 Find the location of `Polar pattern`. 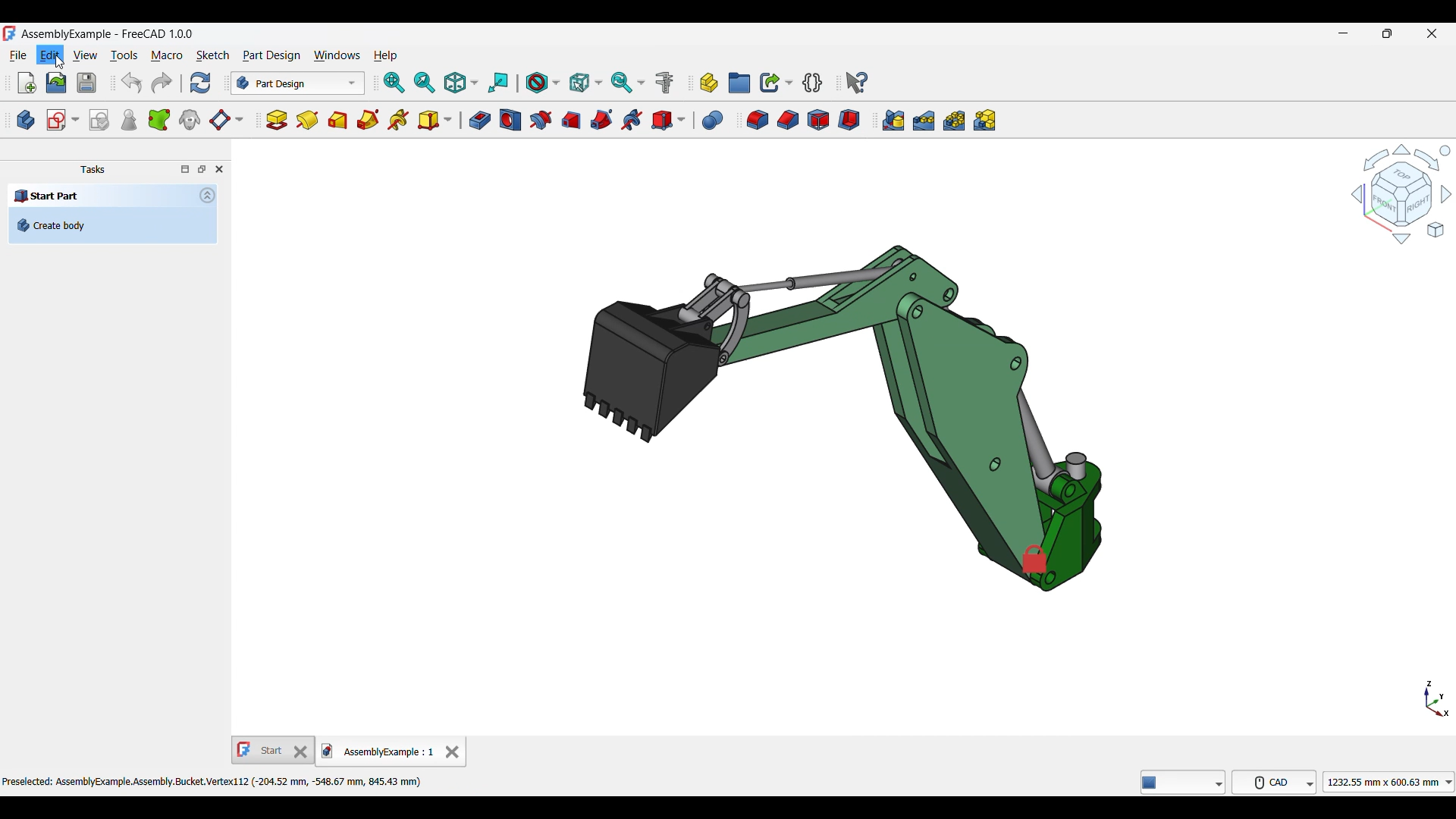

Polar pattern is located at coordinates (954, 120).